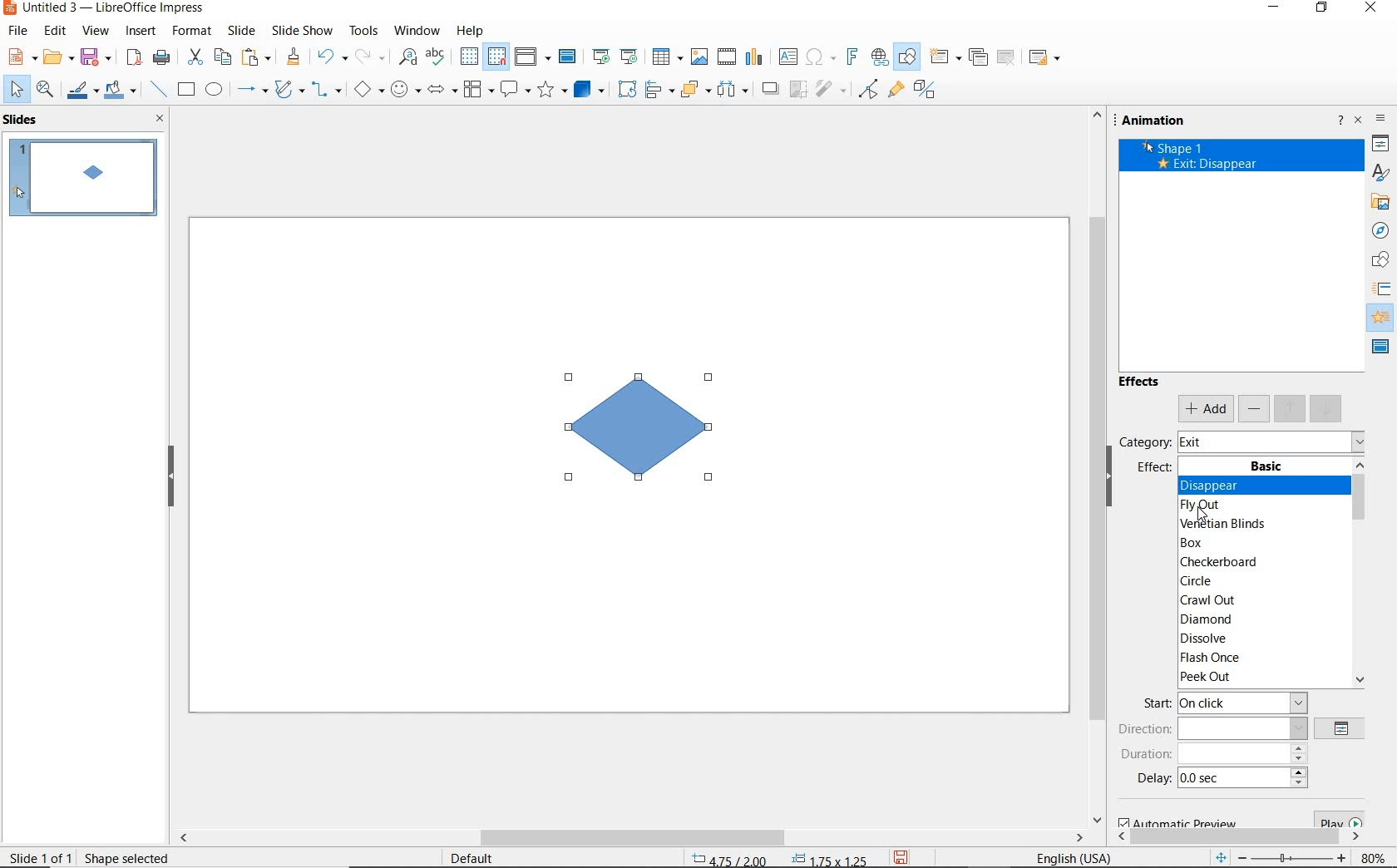 This screenshot has width=1397, height=868. What do you see at coordinates (896, 91) in the screenshot?
I see `show gluepoint functions` at bounding box center [896, 91].